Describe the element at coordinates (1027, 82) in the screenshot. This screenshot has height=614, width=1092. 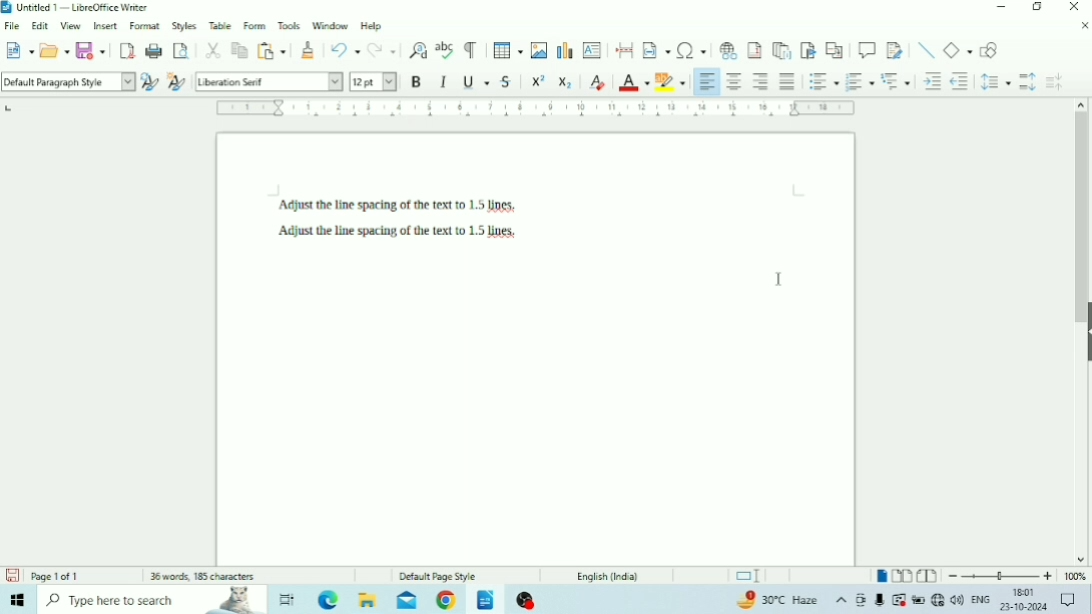
I see `Increase Paragraph Spacing` at that location.